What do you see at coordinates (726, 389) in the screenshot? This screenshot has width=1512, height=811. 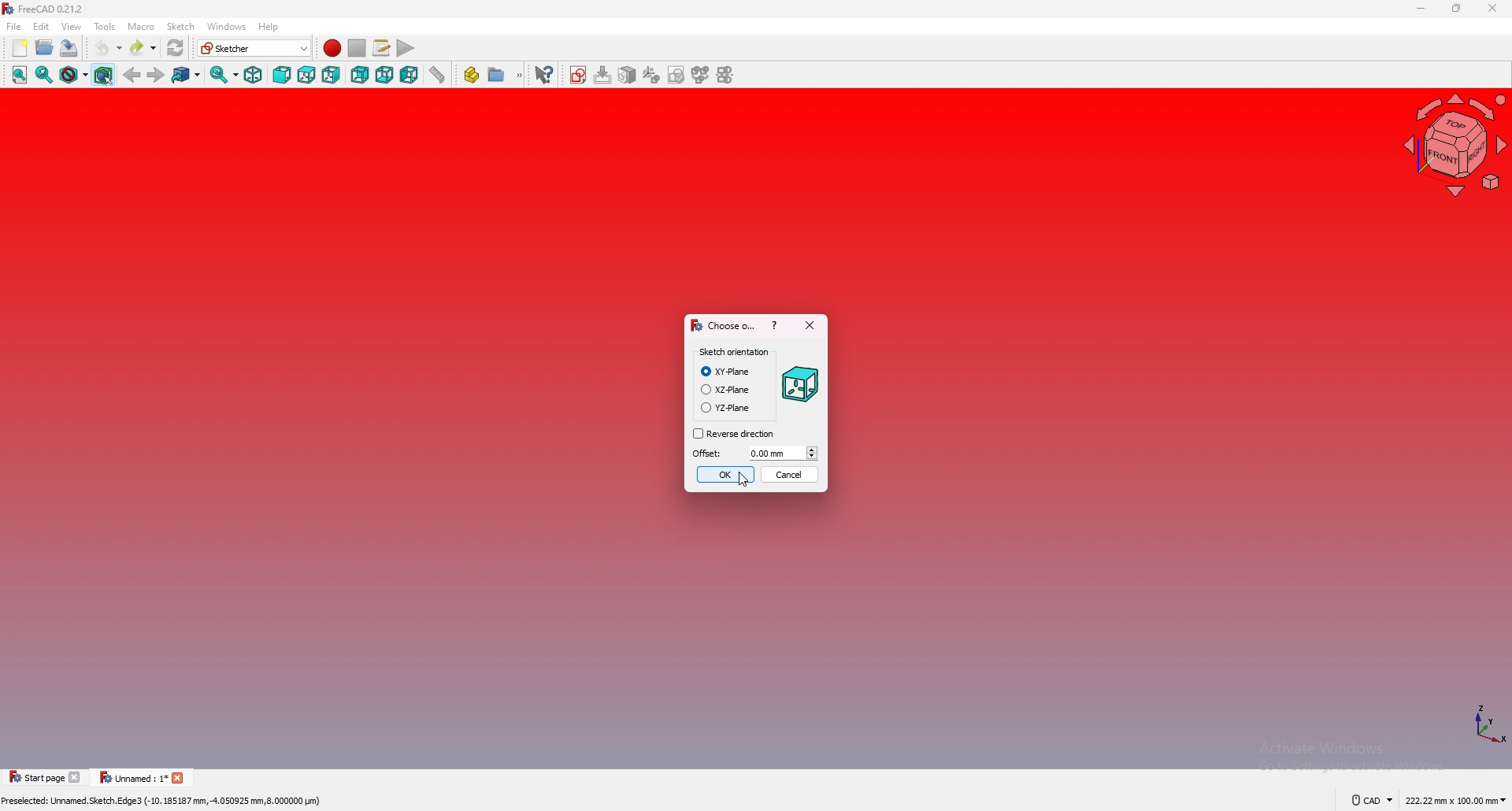 I see `xz plane` at bounding box center [726, 389].